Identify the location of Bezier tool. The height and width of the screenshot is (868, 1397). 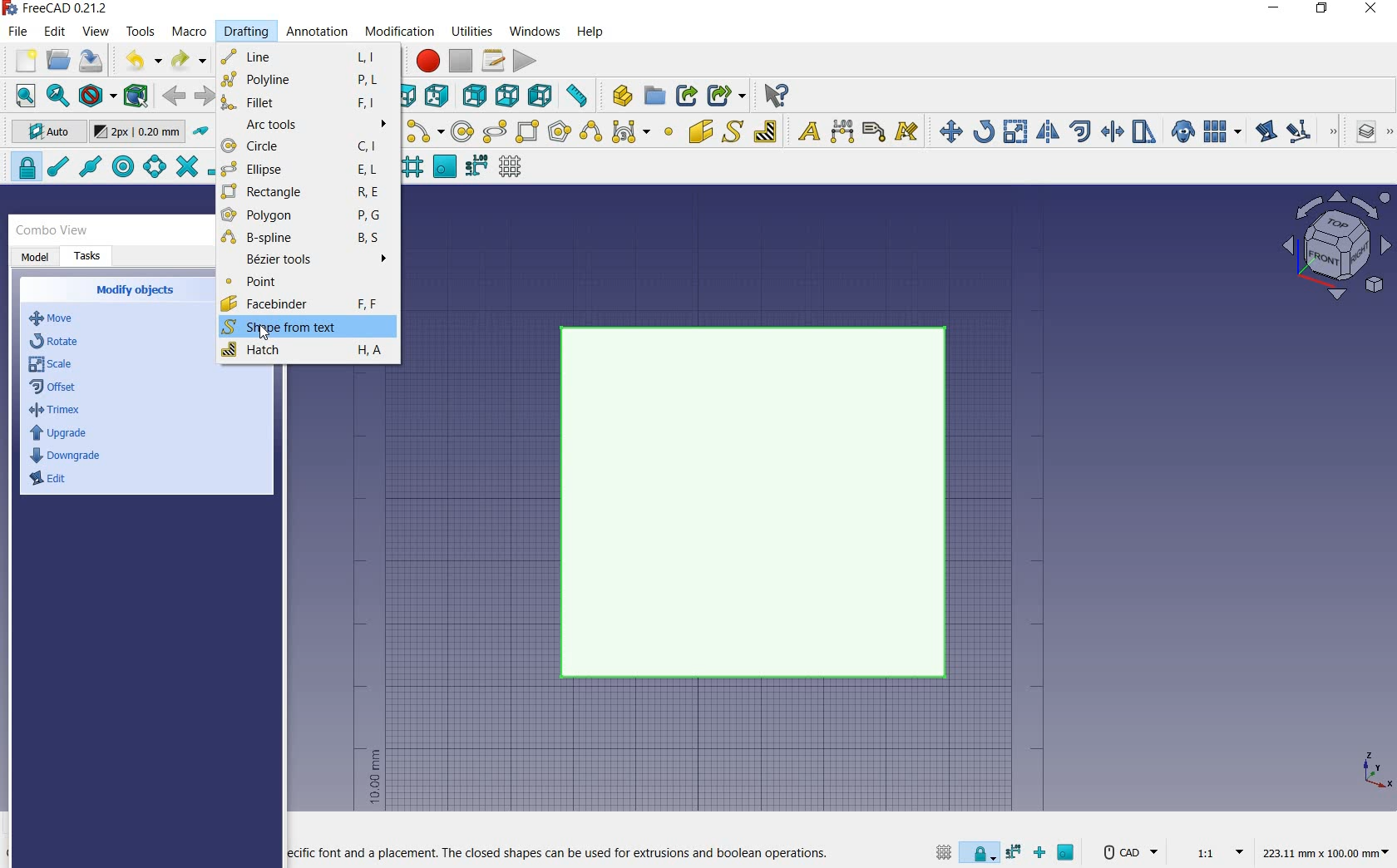
(629, 135).